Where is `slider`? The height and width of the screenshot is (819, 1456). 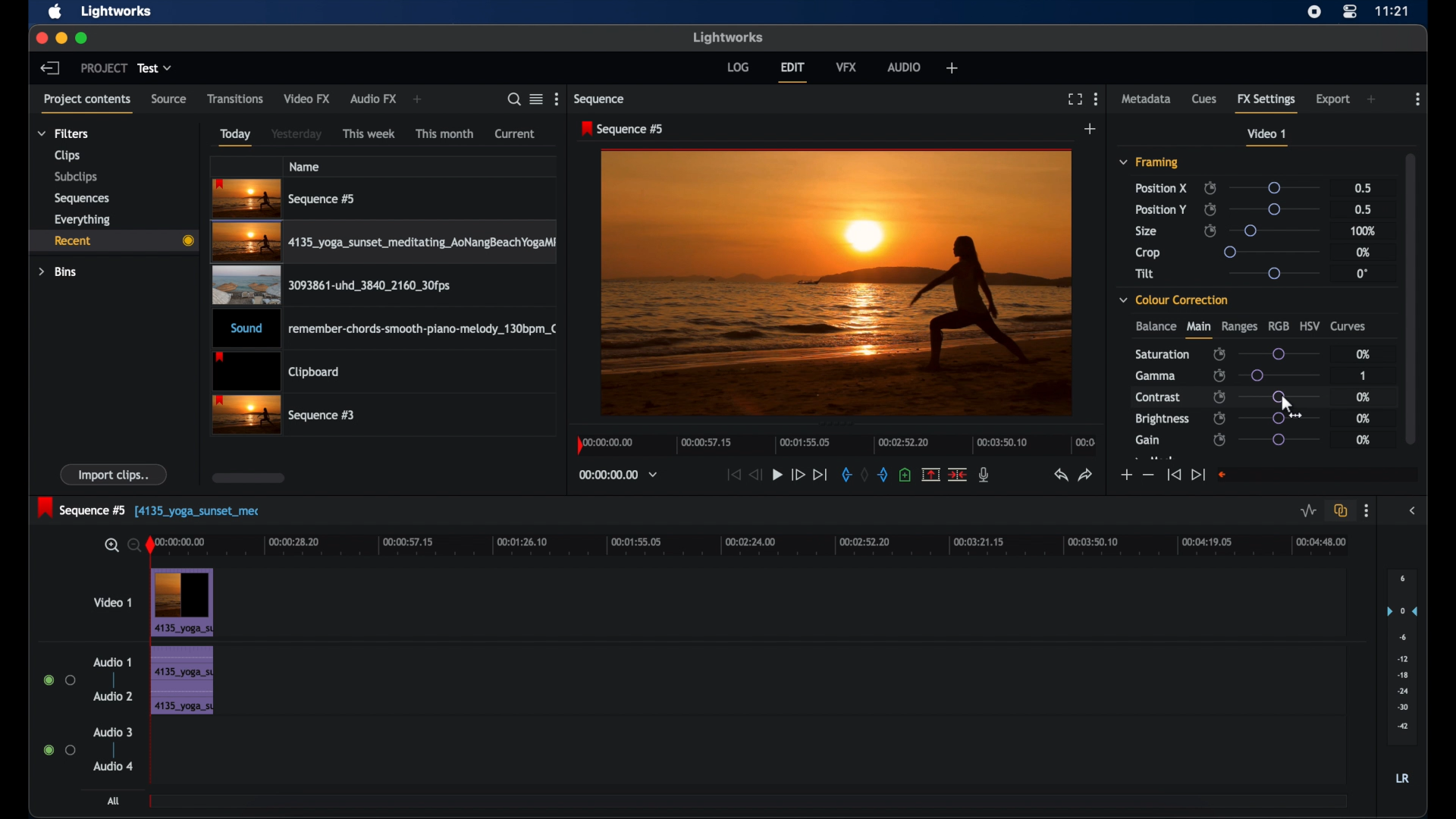
slider is located at coordinates (1269, 252).